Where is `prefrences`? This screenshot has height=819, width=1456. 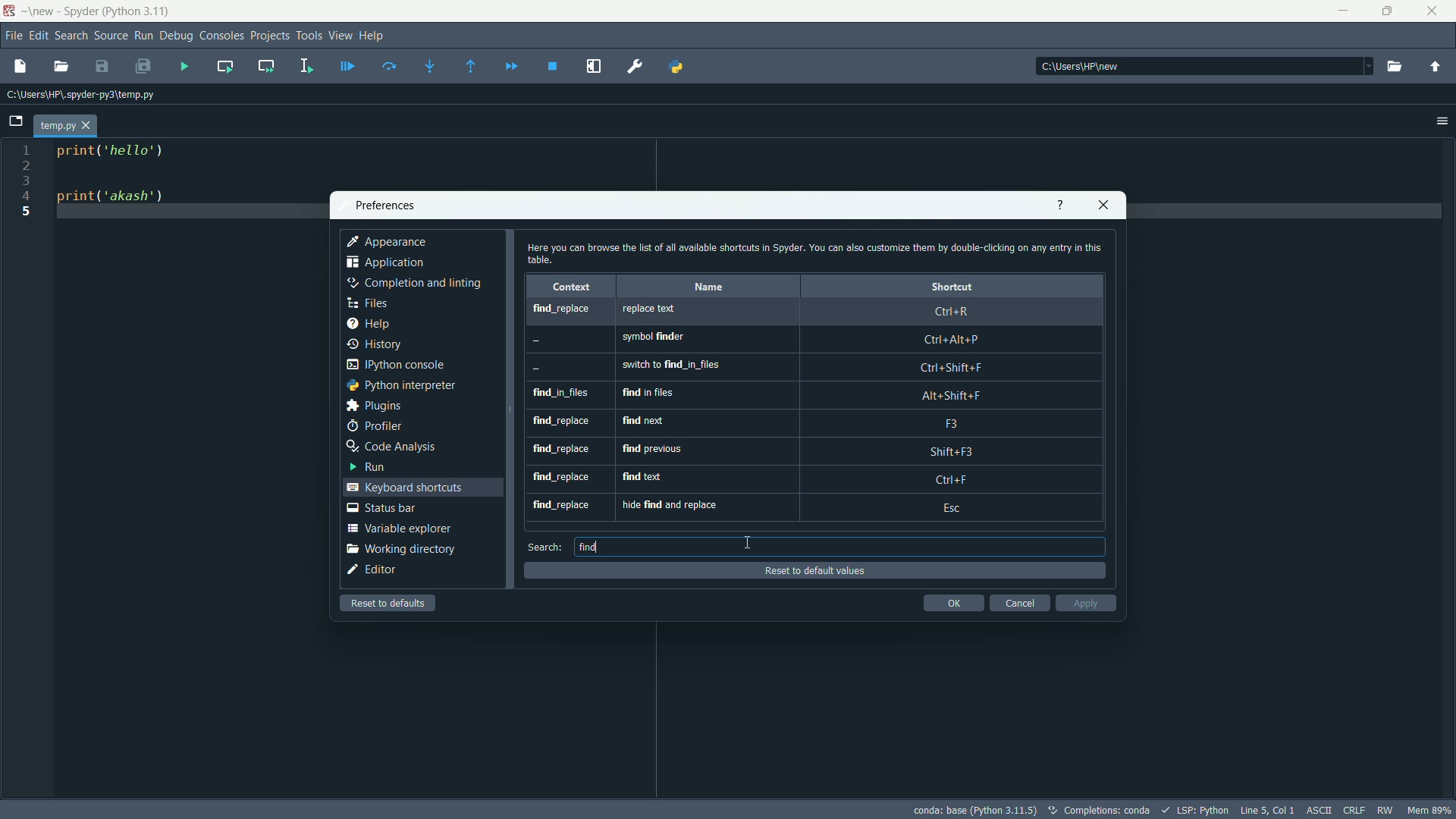
prefrences is located at coordinates (385, 206).